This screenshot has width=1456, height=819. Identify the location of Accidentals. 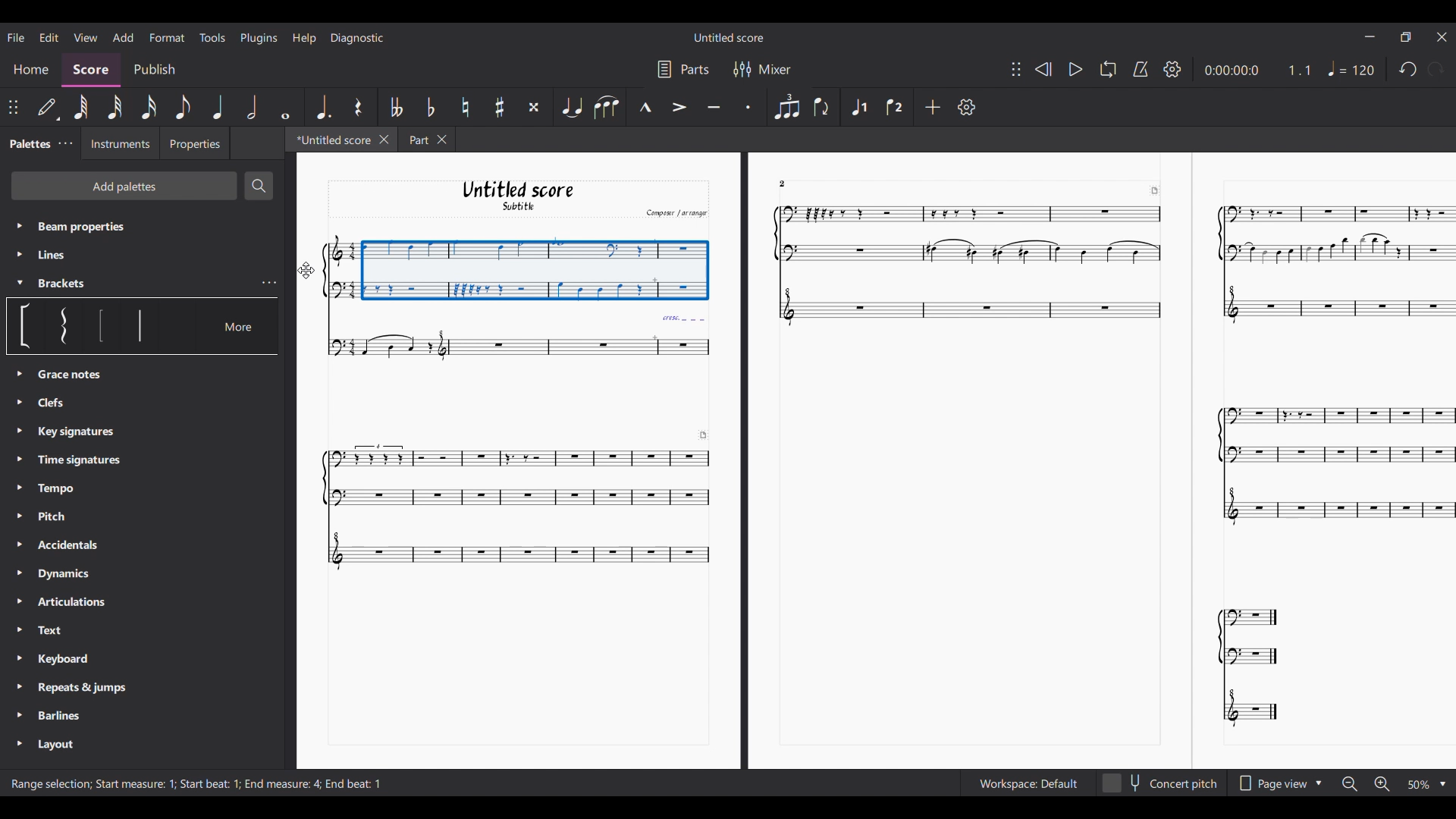
(66, 547).